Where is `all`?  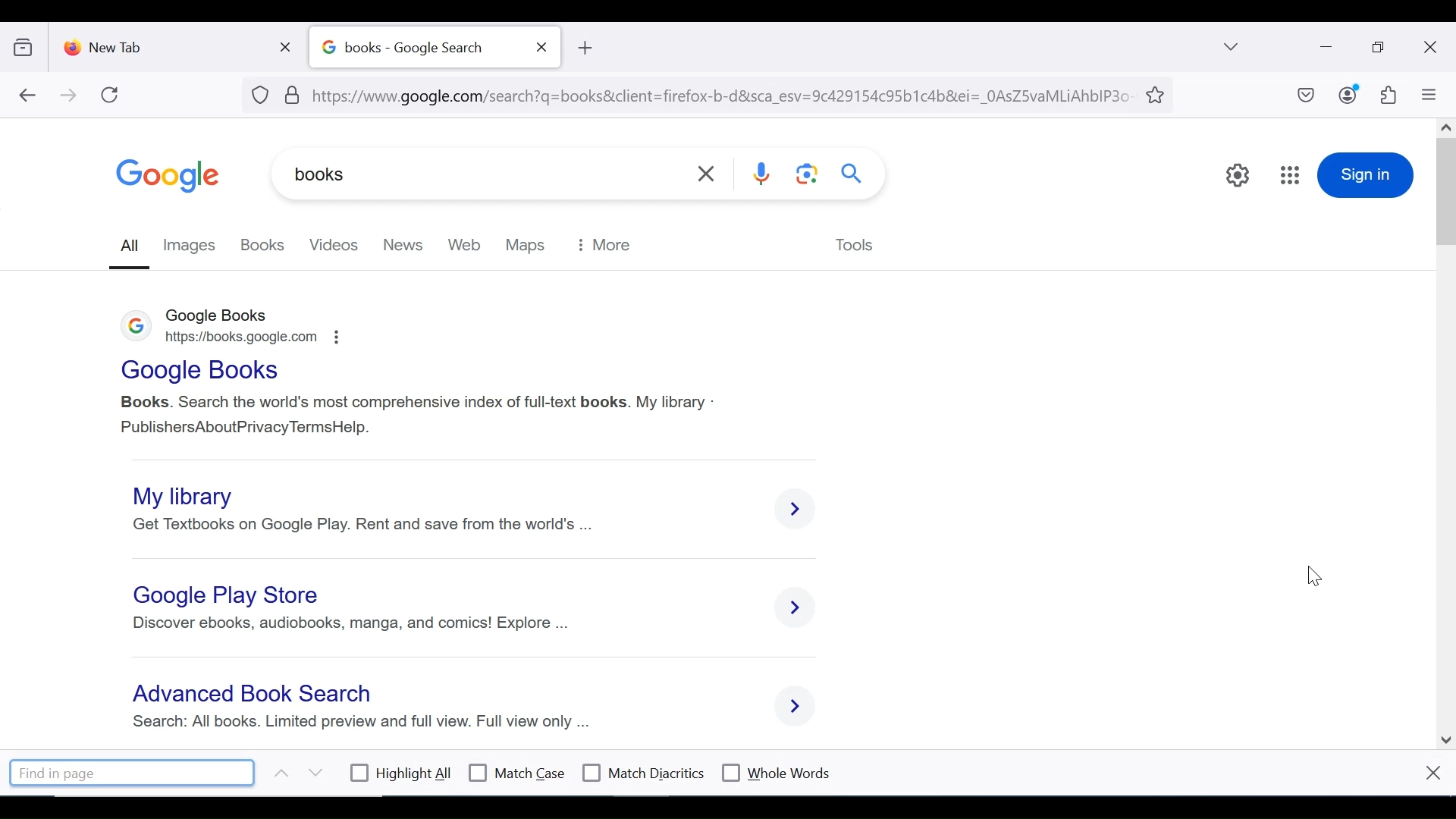 all is located at coordinates (131, 246).